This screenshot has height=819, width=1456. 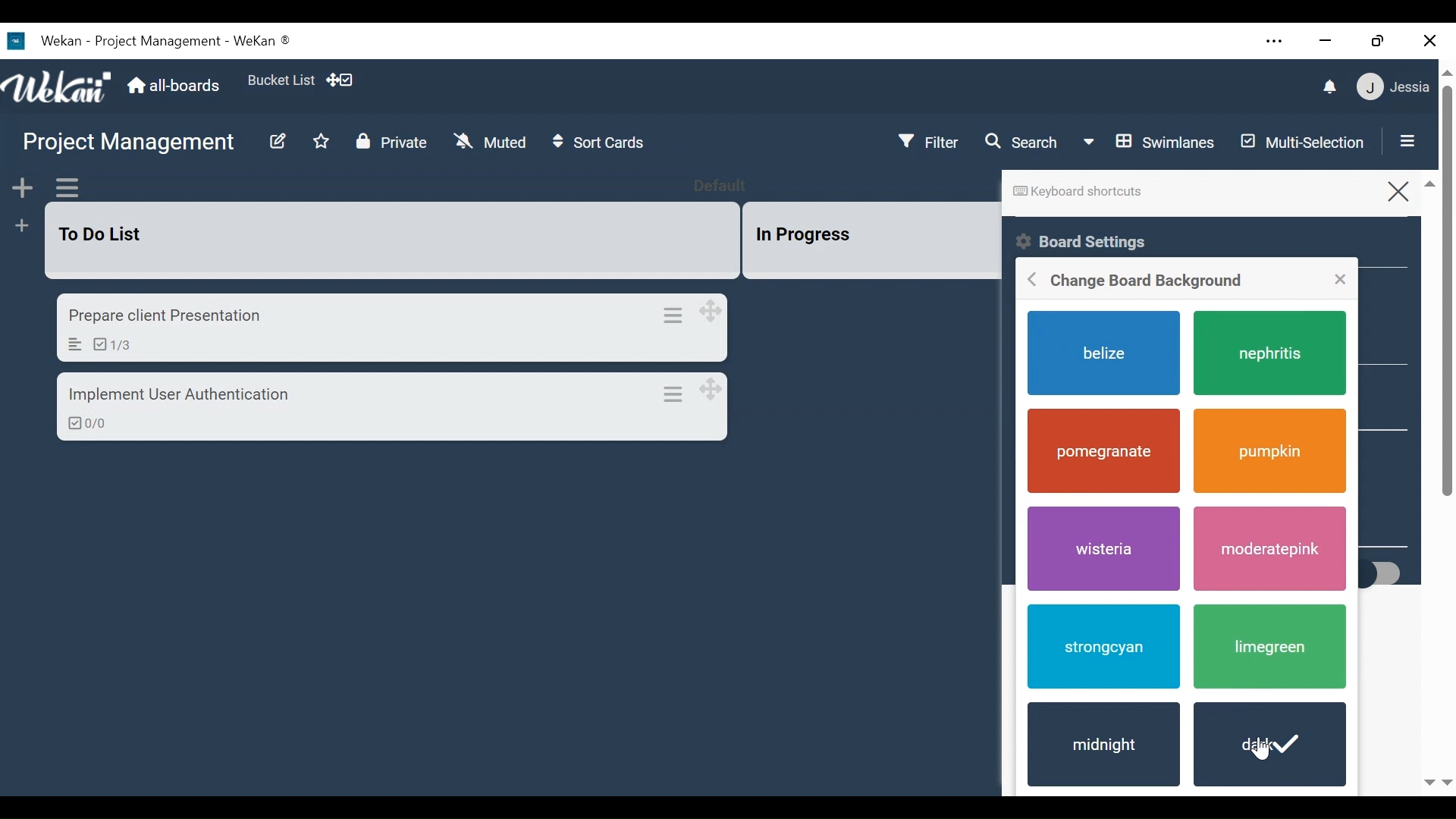 I want to click on Change, so click(x=1149, y=281).